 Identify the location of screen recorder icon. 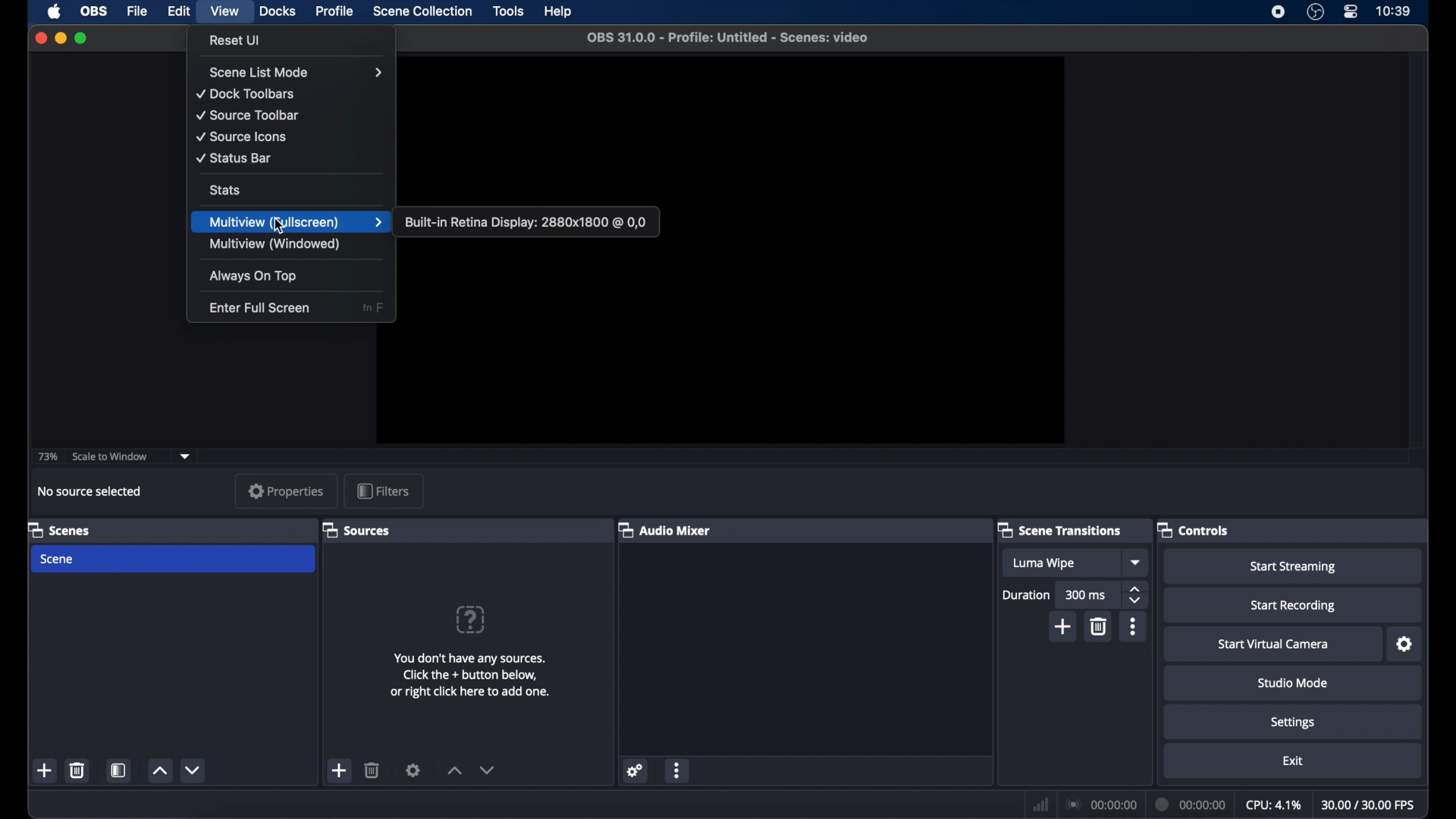
(1279, 13).